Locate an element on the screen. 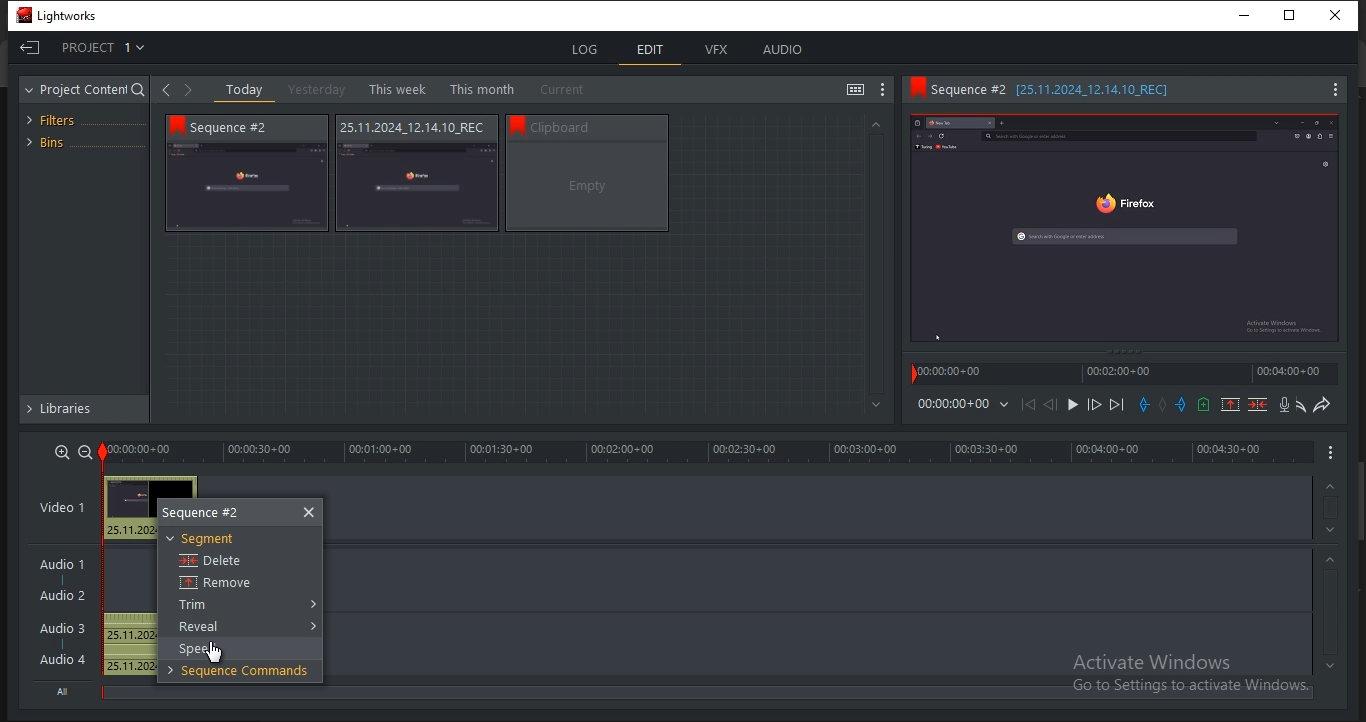  edit is located at coordinates (653, 48).